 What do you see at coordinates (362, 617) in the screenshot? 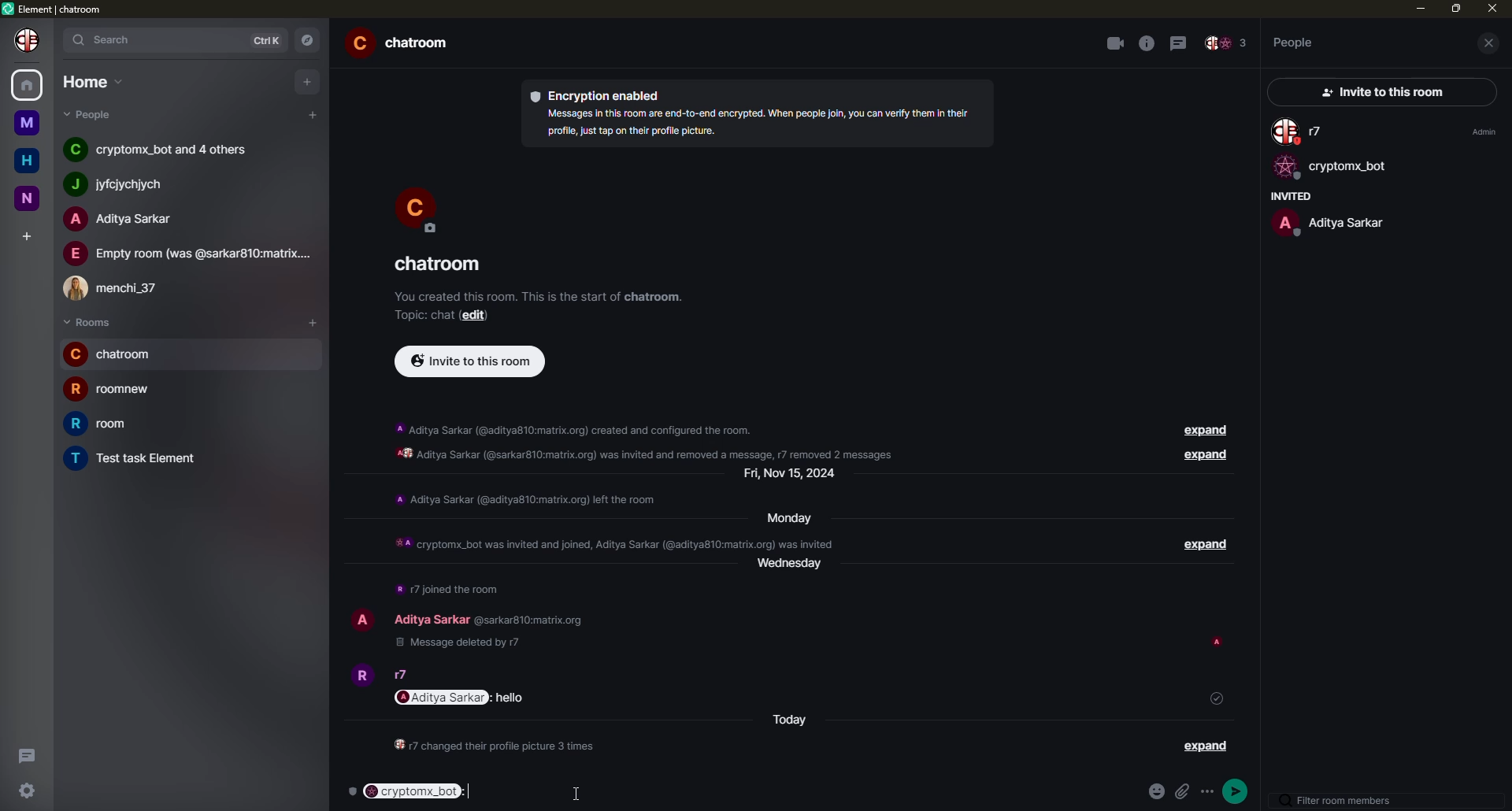
I see `profile` at bounding box center [362, 617].